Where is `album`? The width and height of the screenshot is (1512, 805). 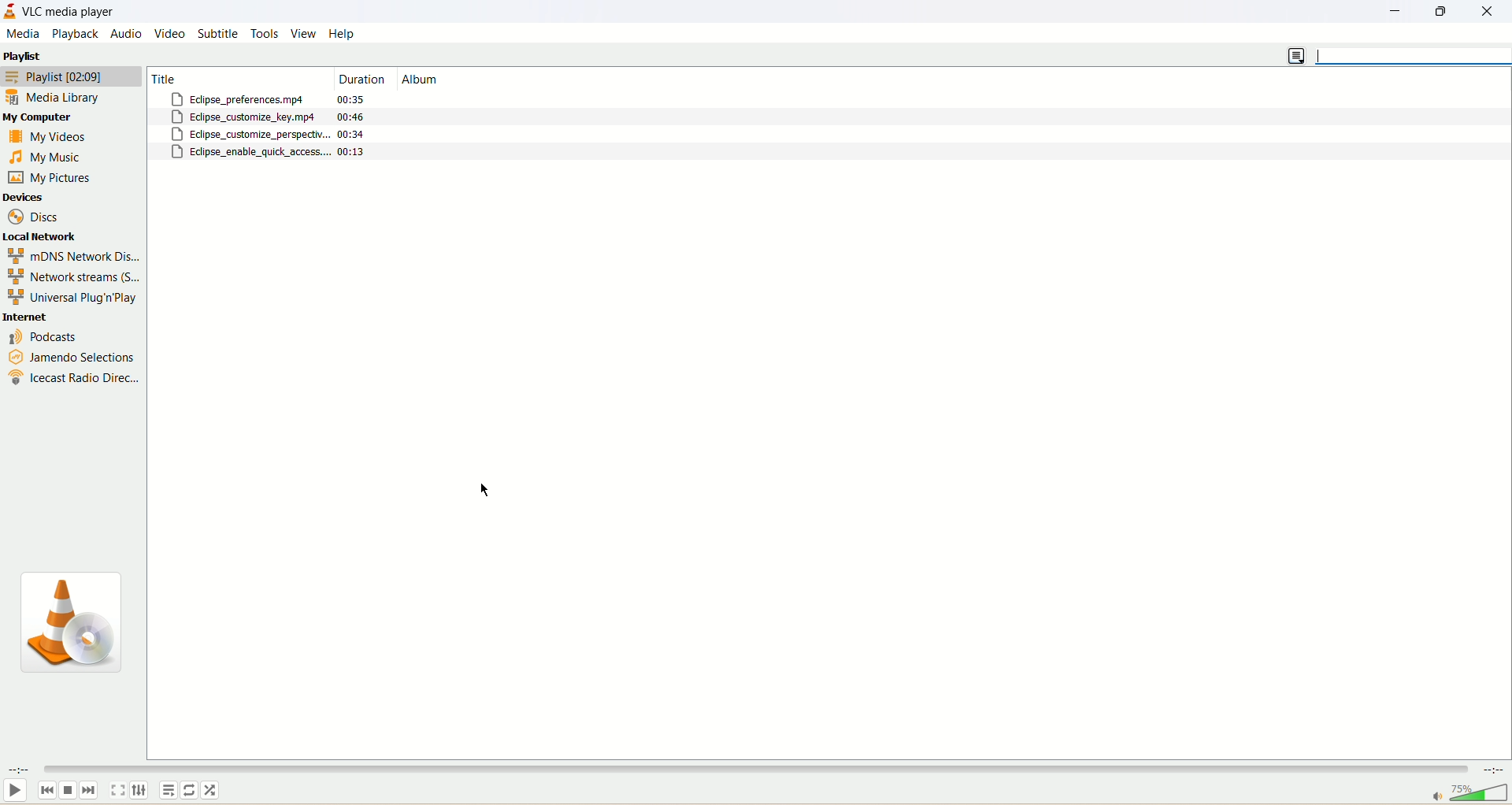
album is located at coordinates (421, 78).